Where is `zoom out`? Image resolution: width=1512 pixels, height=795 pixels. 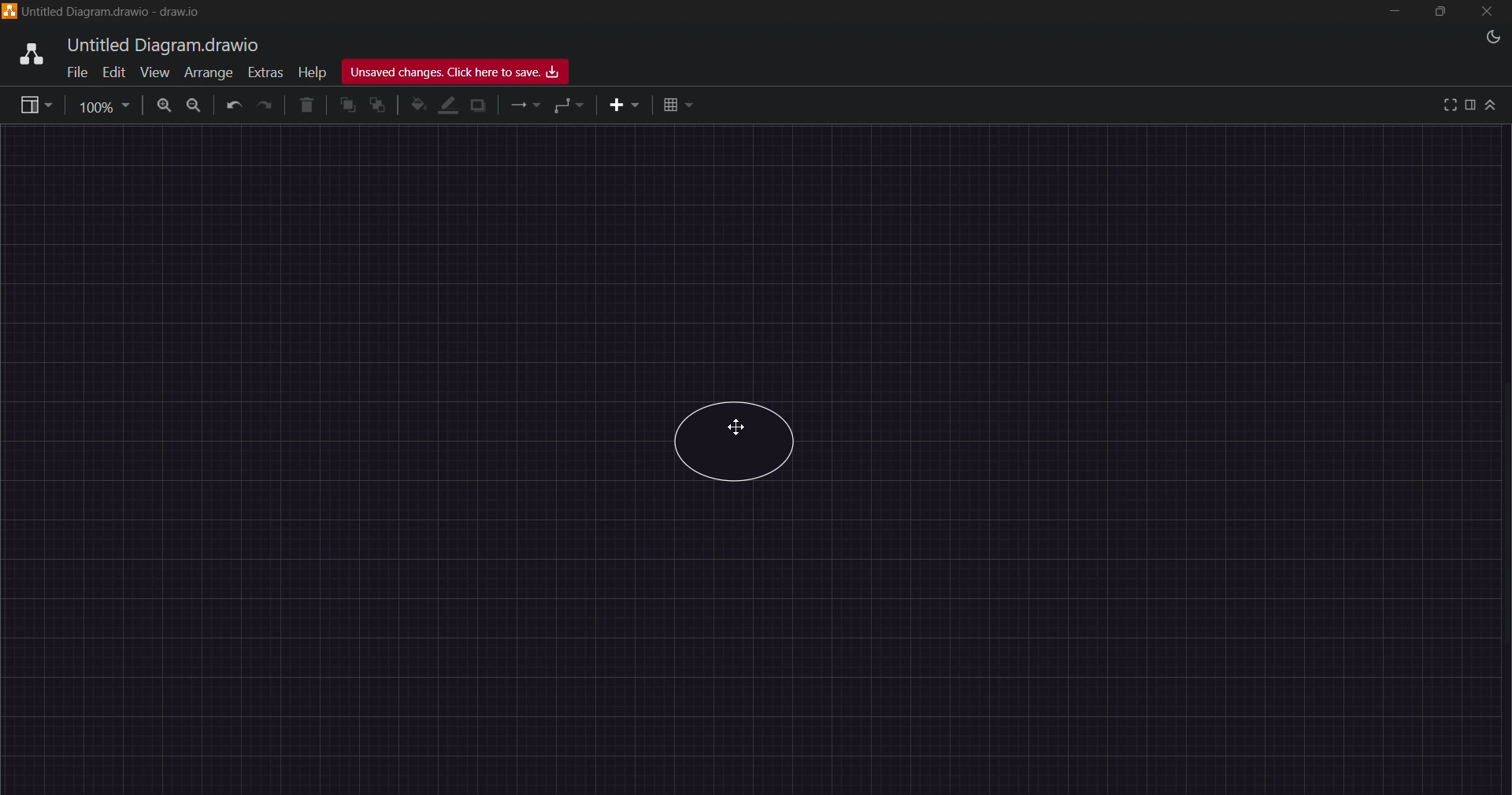
zoom out is located at coordinates (193, 108).